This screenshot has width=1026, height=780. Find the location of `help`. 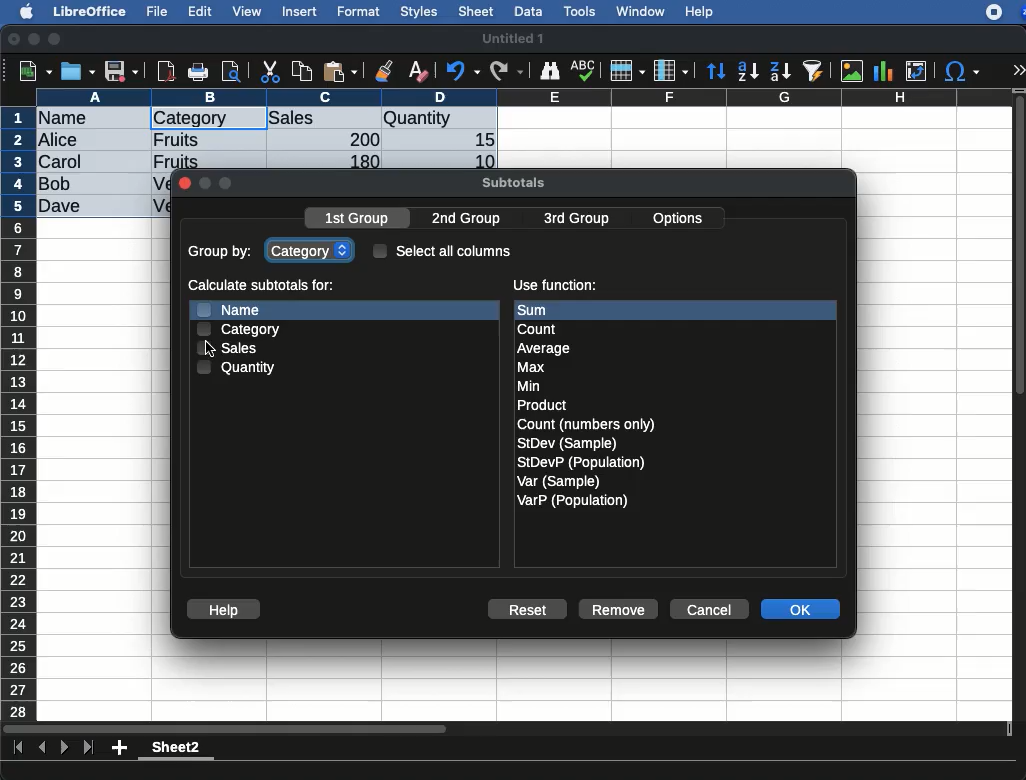

help is located at coordinates (700, 13).